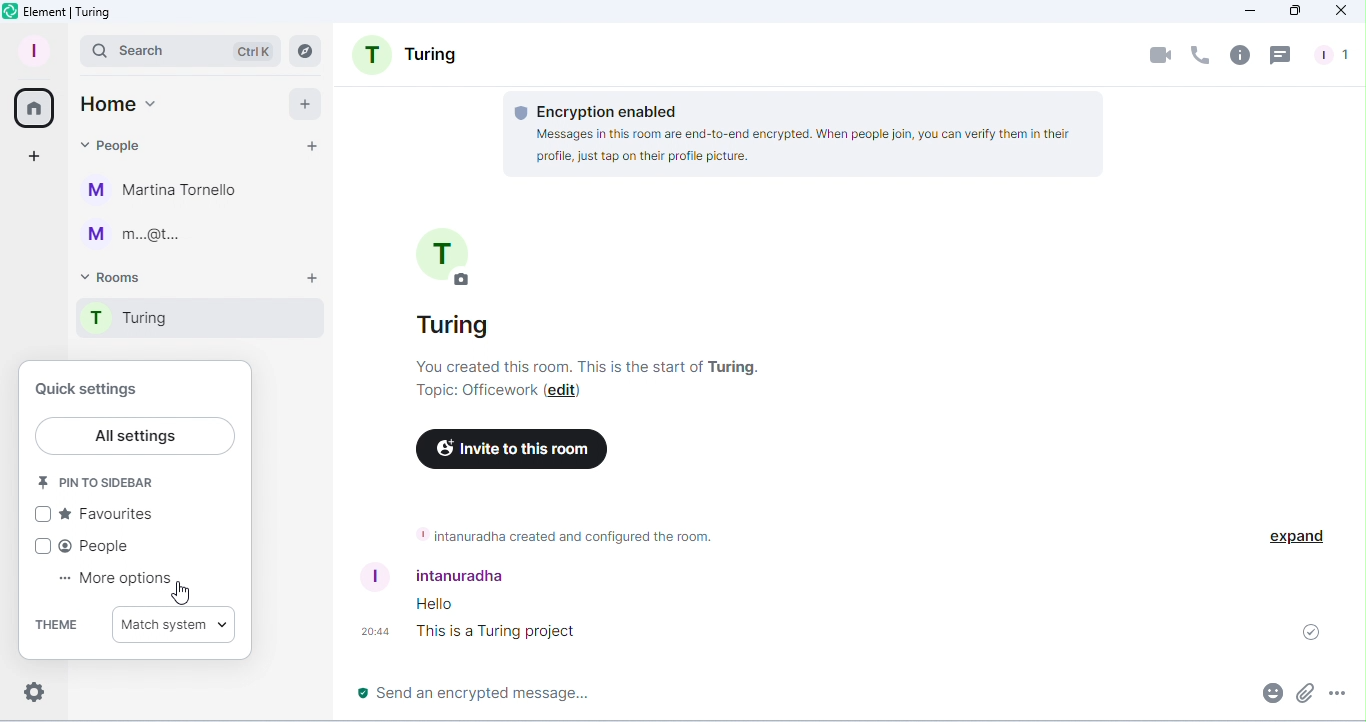 The height and width of the screenshot is (722, 1366). Describe the element at coordinates (1157, 57) in the screenshot. I see `Video call` at that location.